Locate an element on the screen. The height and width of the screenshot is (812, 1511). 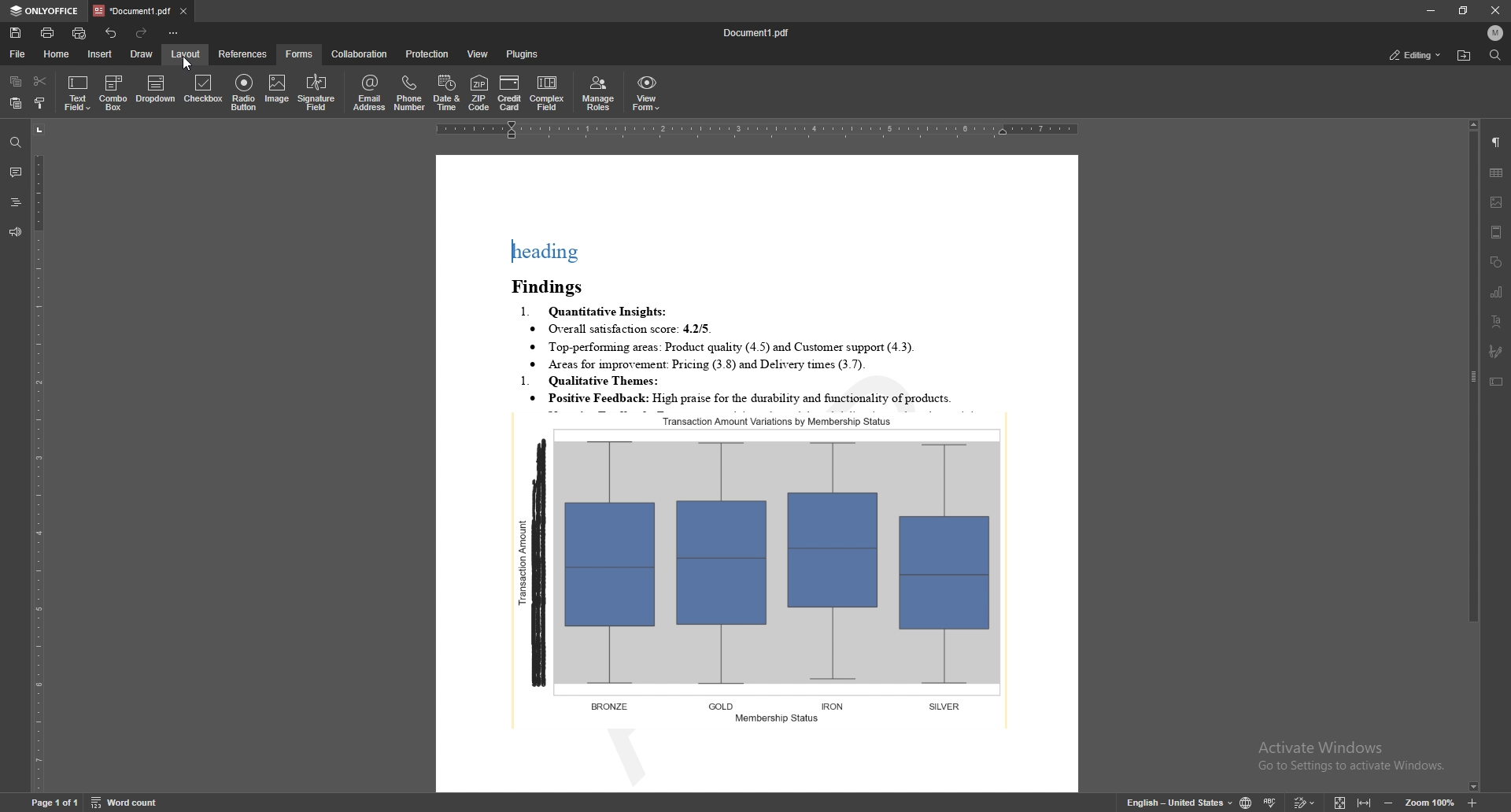
fit to screen is located at coordinates (1340, 801).